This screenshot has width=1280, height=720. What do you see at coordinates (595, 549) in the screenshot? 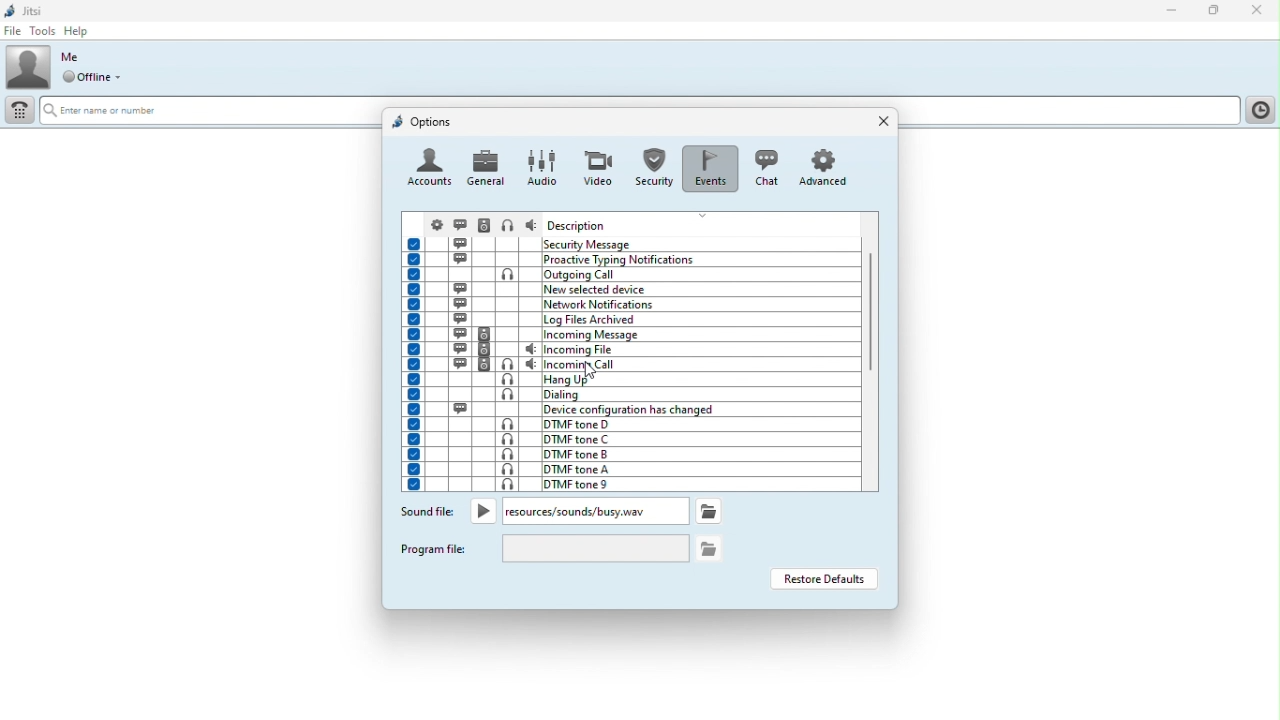
I see `file path` at bounding box center [595, 549].